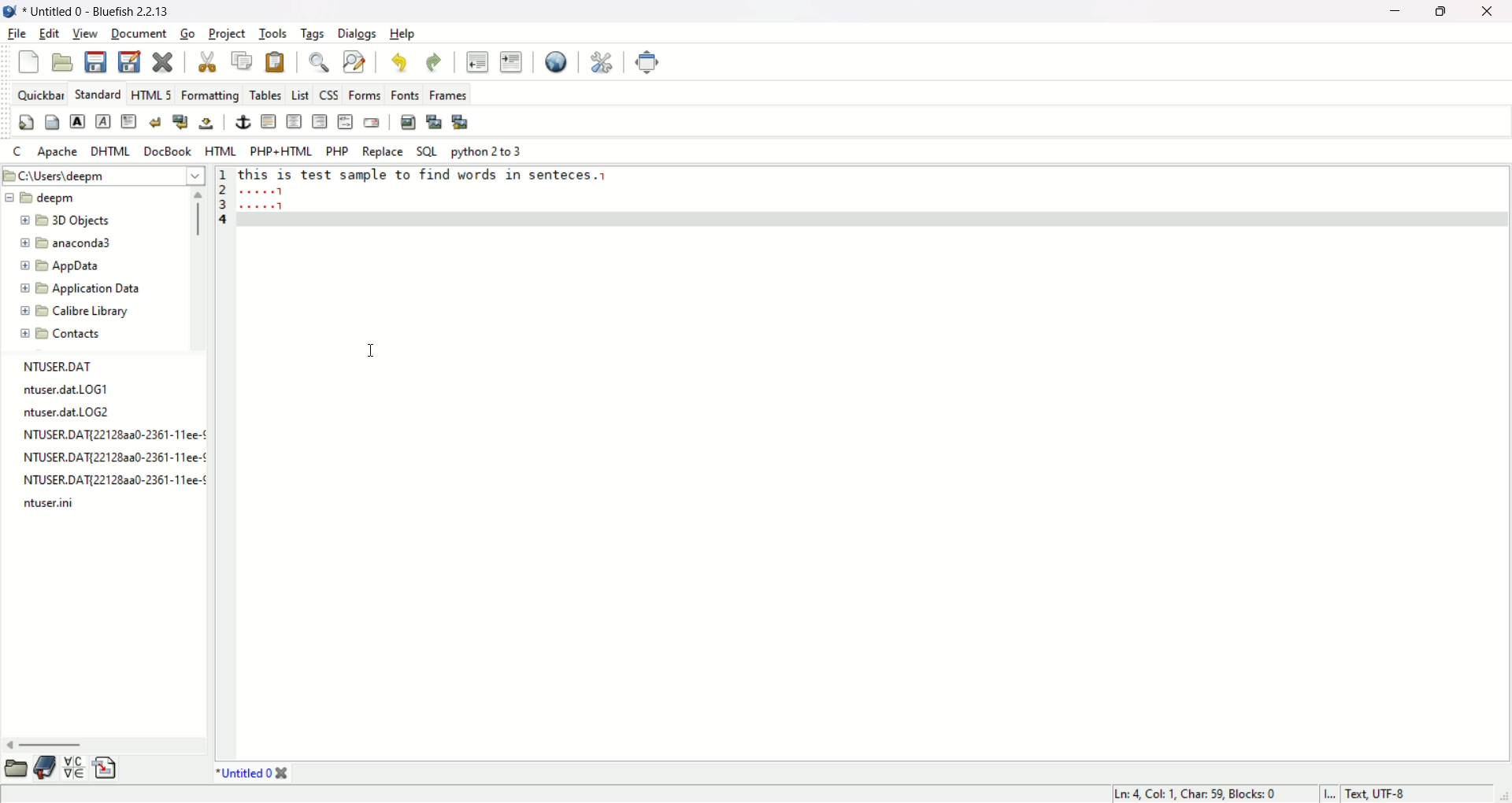 Image resolution: width=1512 pixels, height=803 pixels. Describe the element at coordinates (220, 463) in the screenshot. I see `line number` at that location.